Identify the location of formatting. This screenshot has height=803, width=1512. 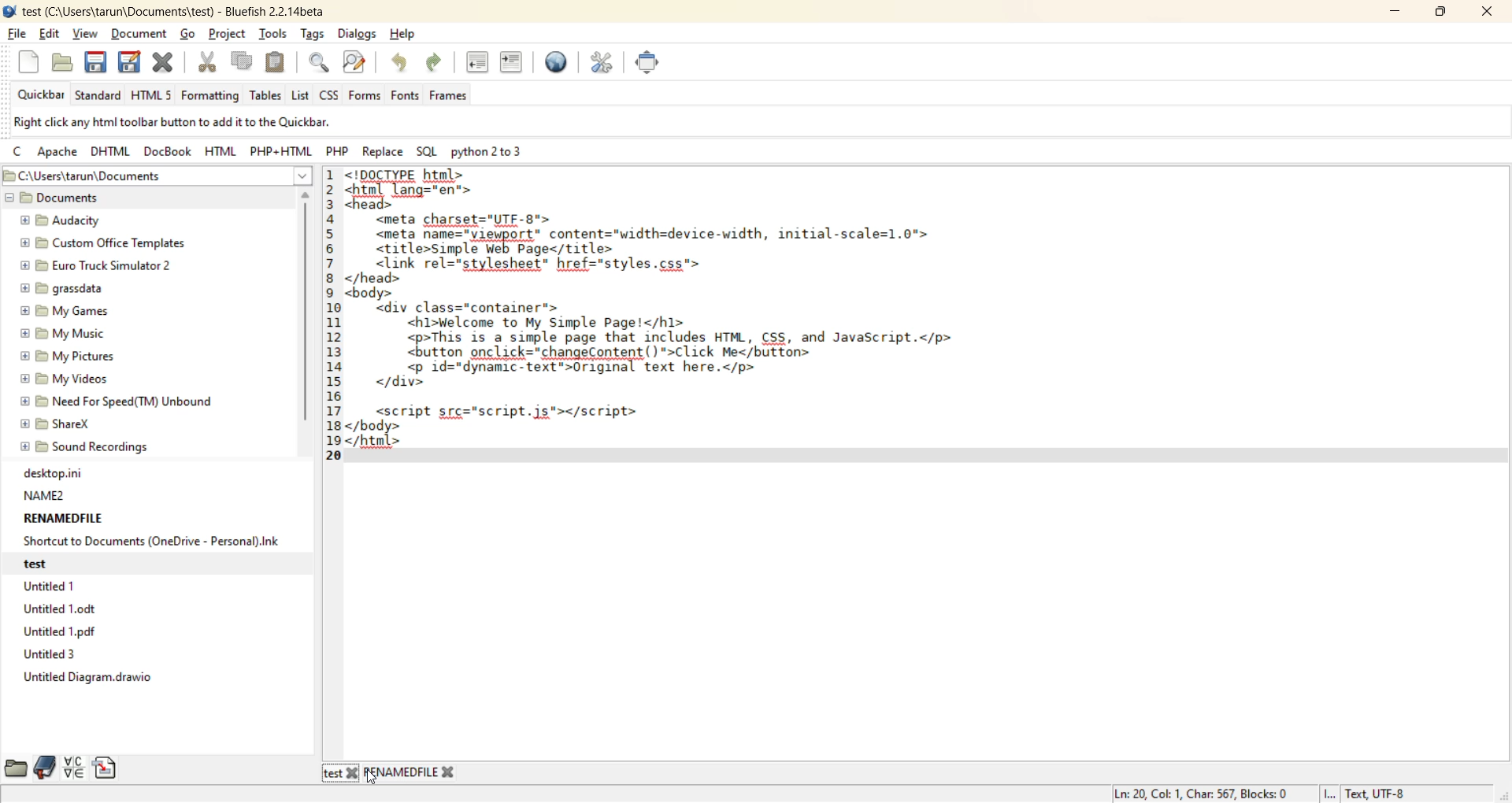
(212, 94).